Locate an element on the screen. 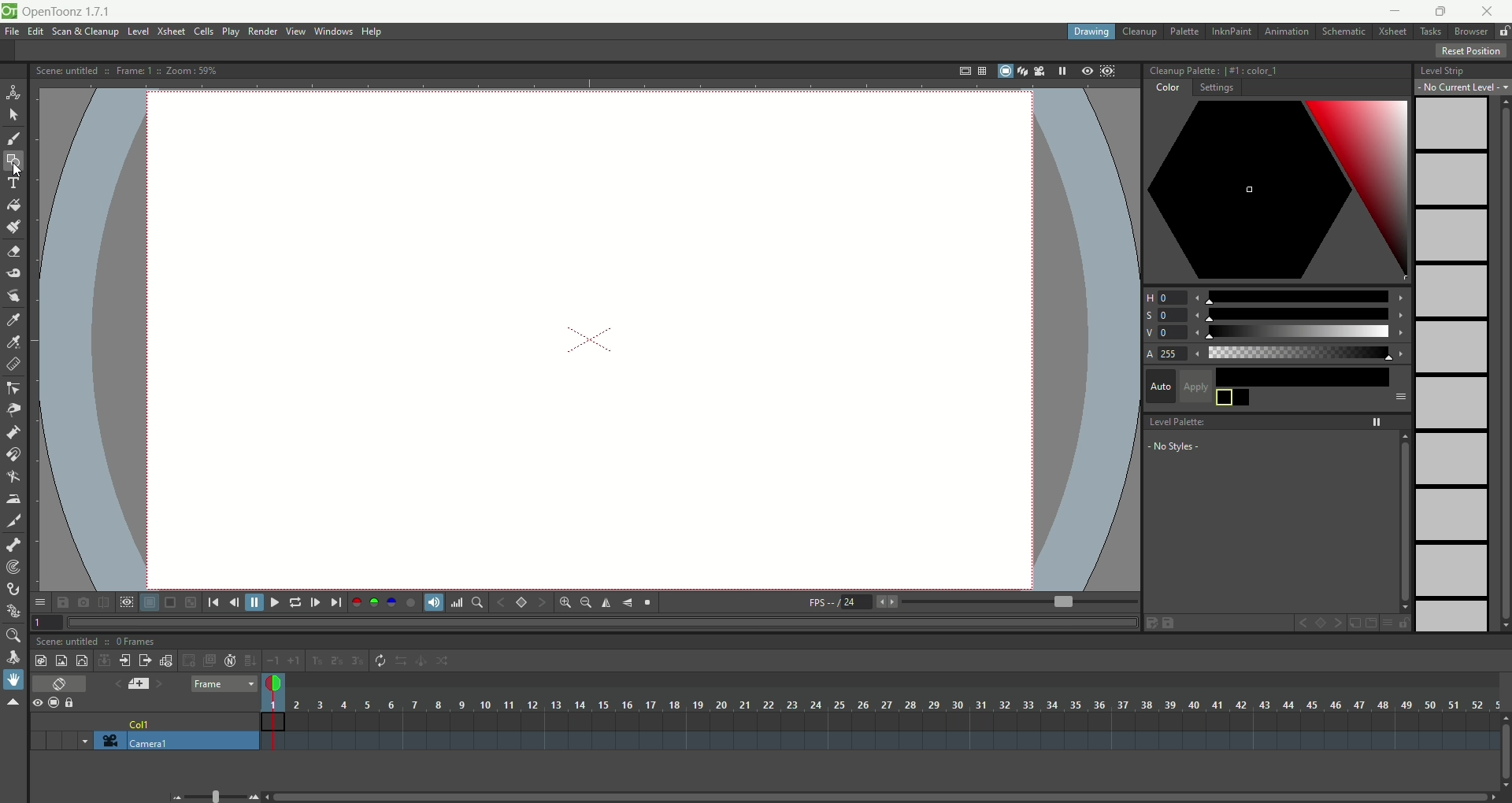 The width and height of the screenshot is (1512, 803). 3D view is located at coordinates (1020, 72).